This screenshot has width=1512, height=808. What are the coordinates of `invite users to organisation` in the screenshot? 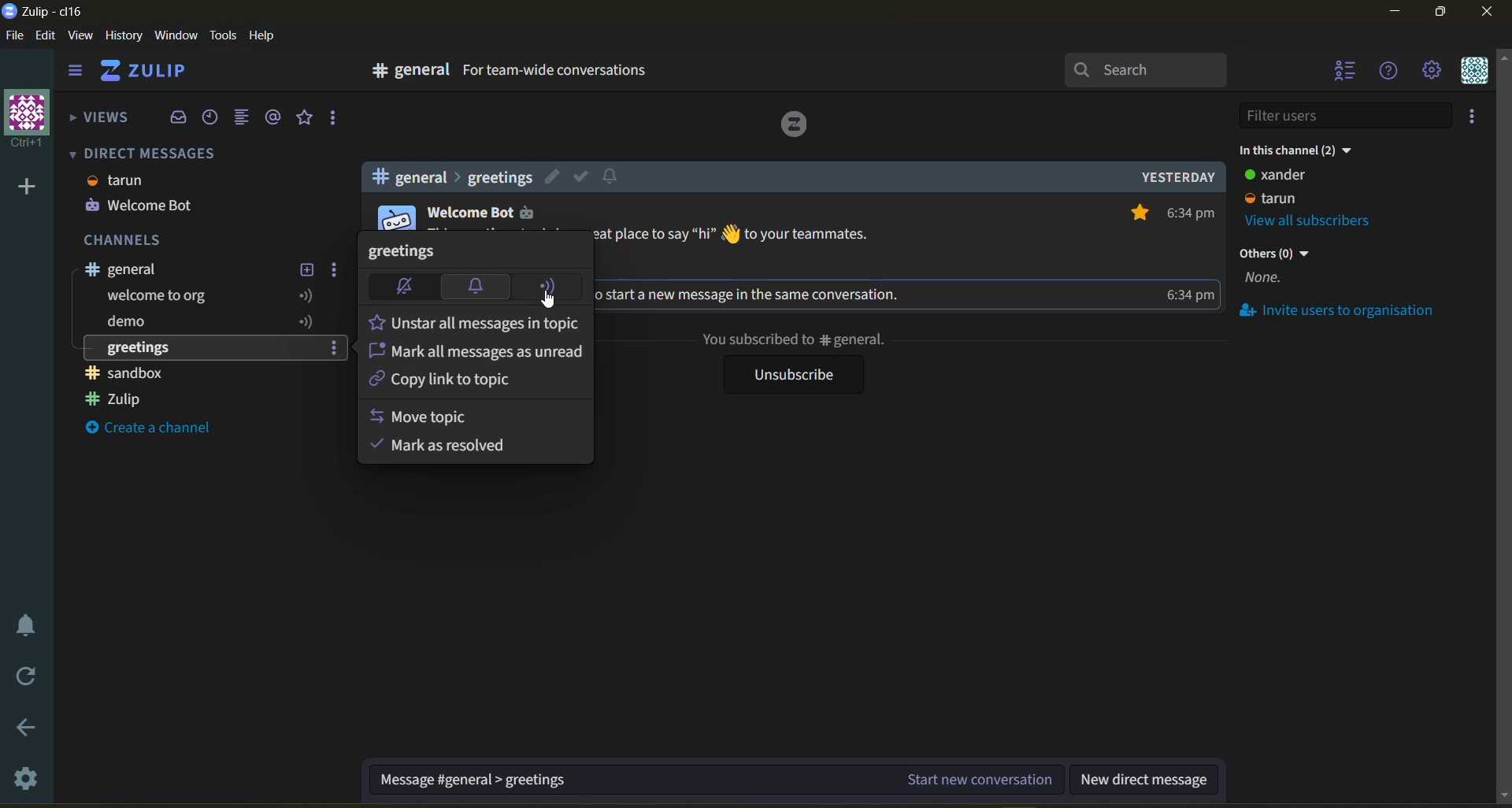 It's located at (1351, 313).